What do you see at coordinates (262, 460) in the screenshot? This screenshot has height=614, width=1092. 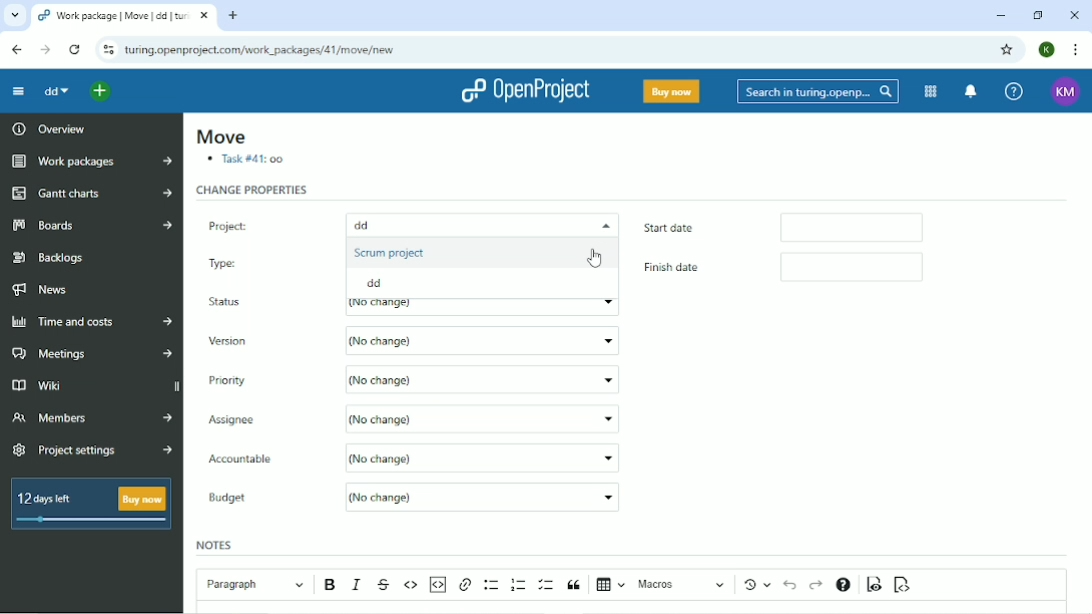 I see `Accountable` at bounding box center [262, 460].